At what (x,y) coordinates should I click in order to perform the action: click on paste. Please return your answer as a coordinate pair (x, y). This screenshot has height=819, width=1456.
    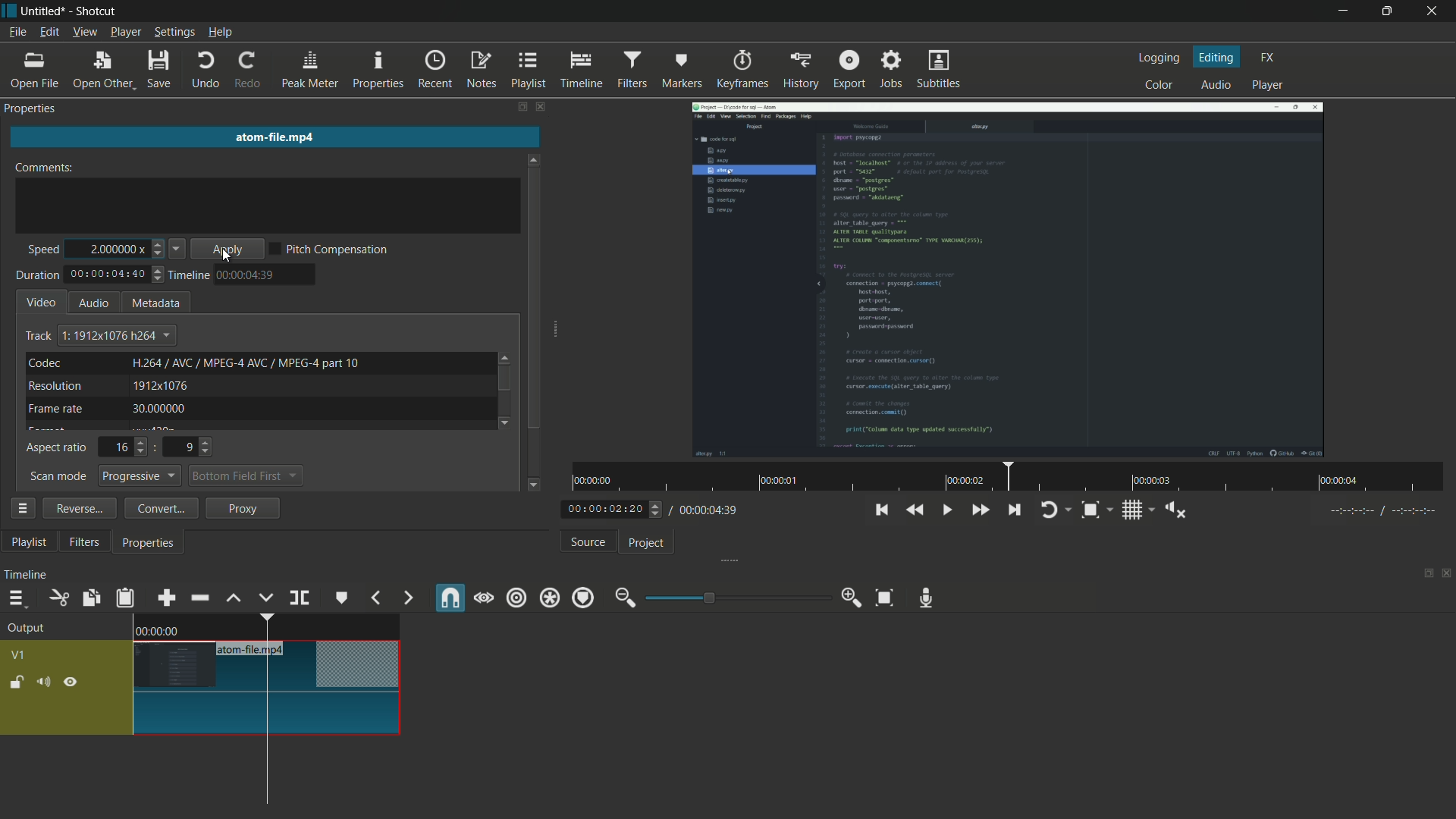
    Looking at the image, I should click on (124, 598).